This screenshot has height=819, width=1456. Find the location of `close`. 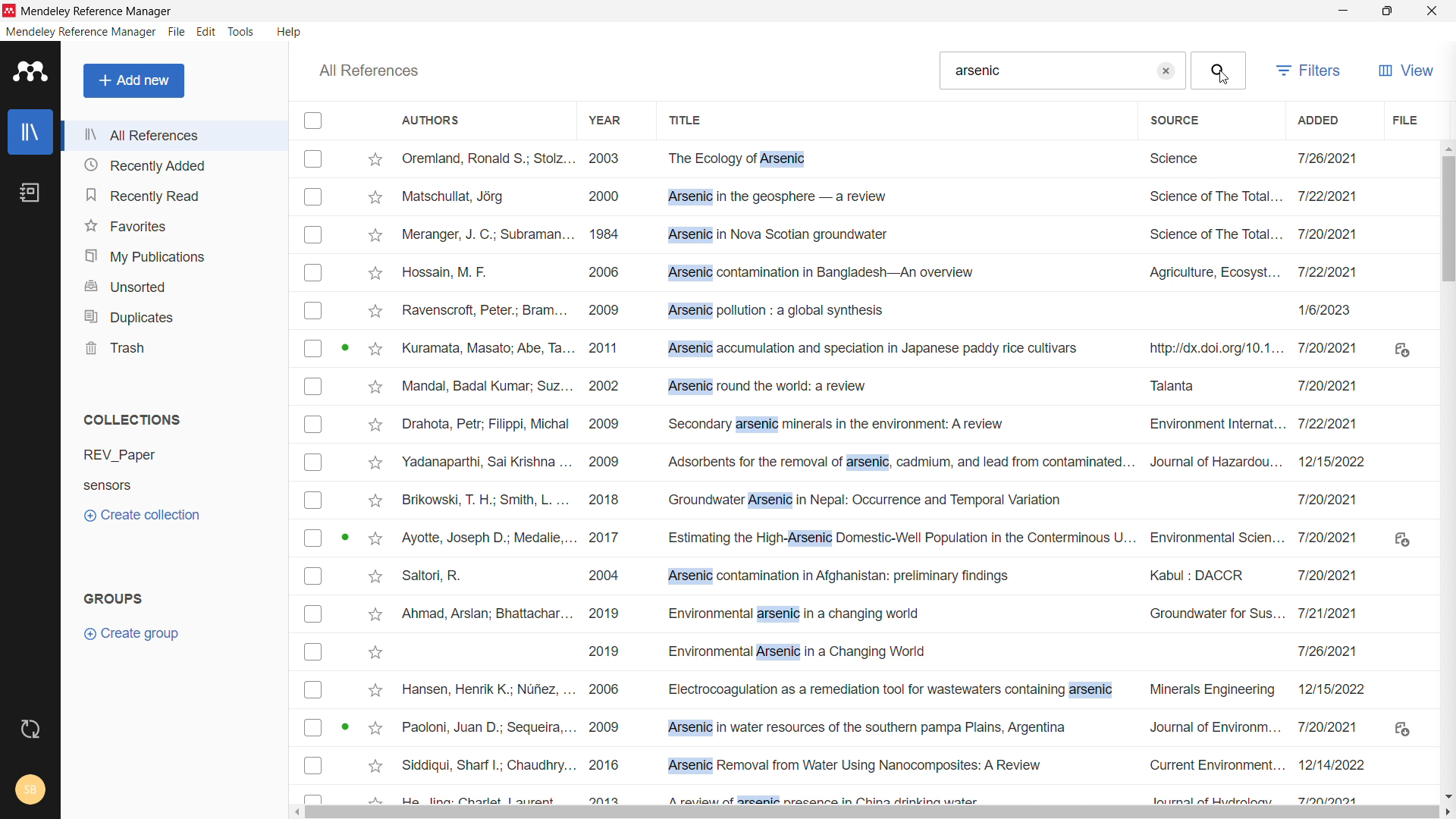

close is located at coordinates (1432, 11).